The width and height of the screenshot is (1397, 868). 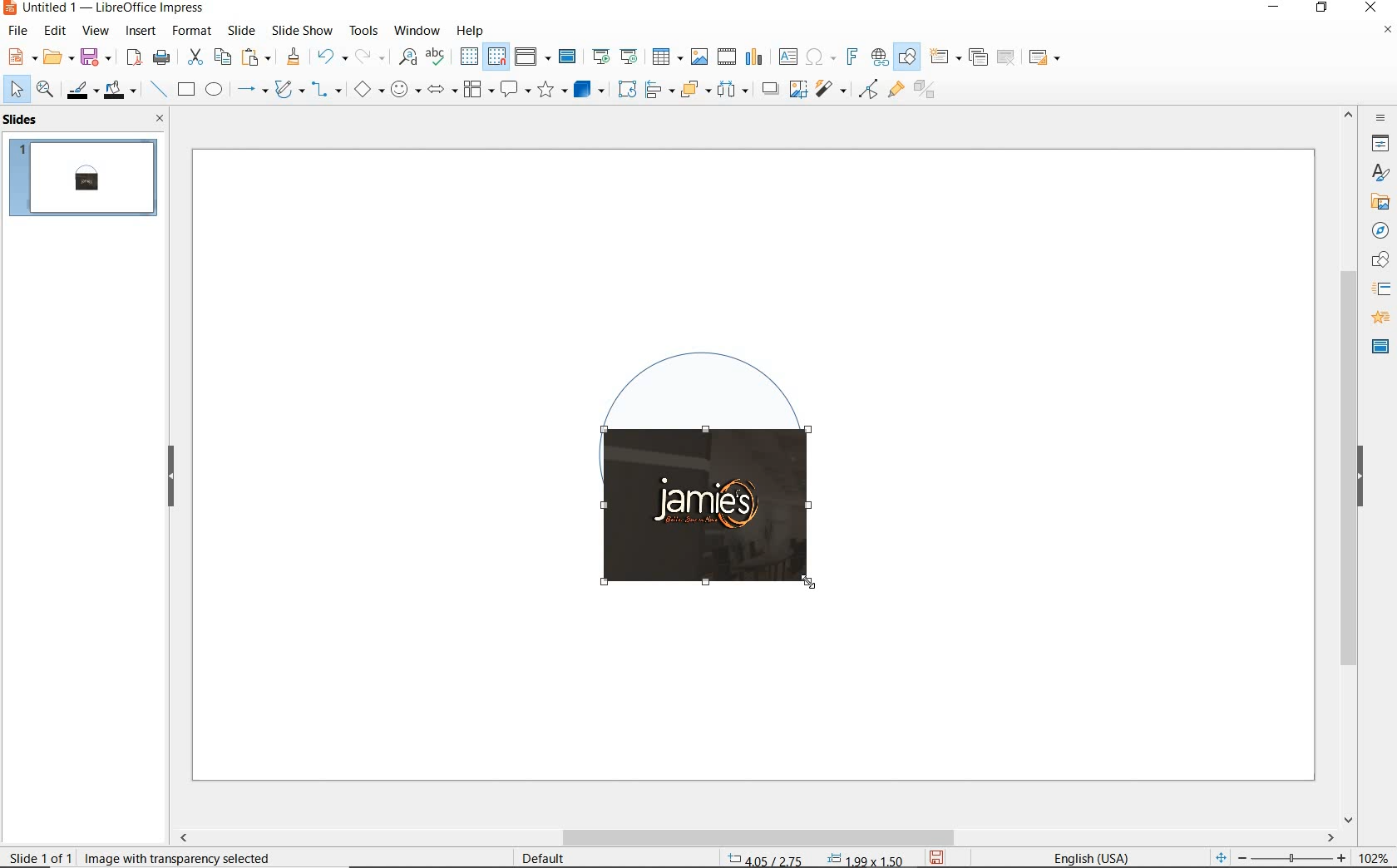 I want to click on view, so click(x=96, y=31).